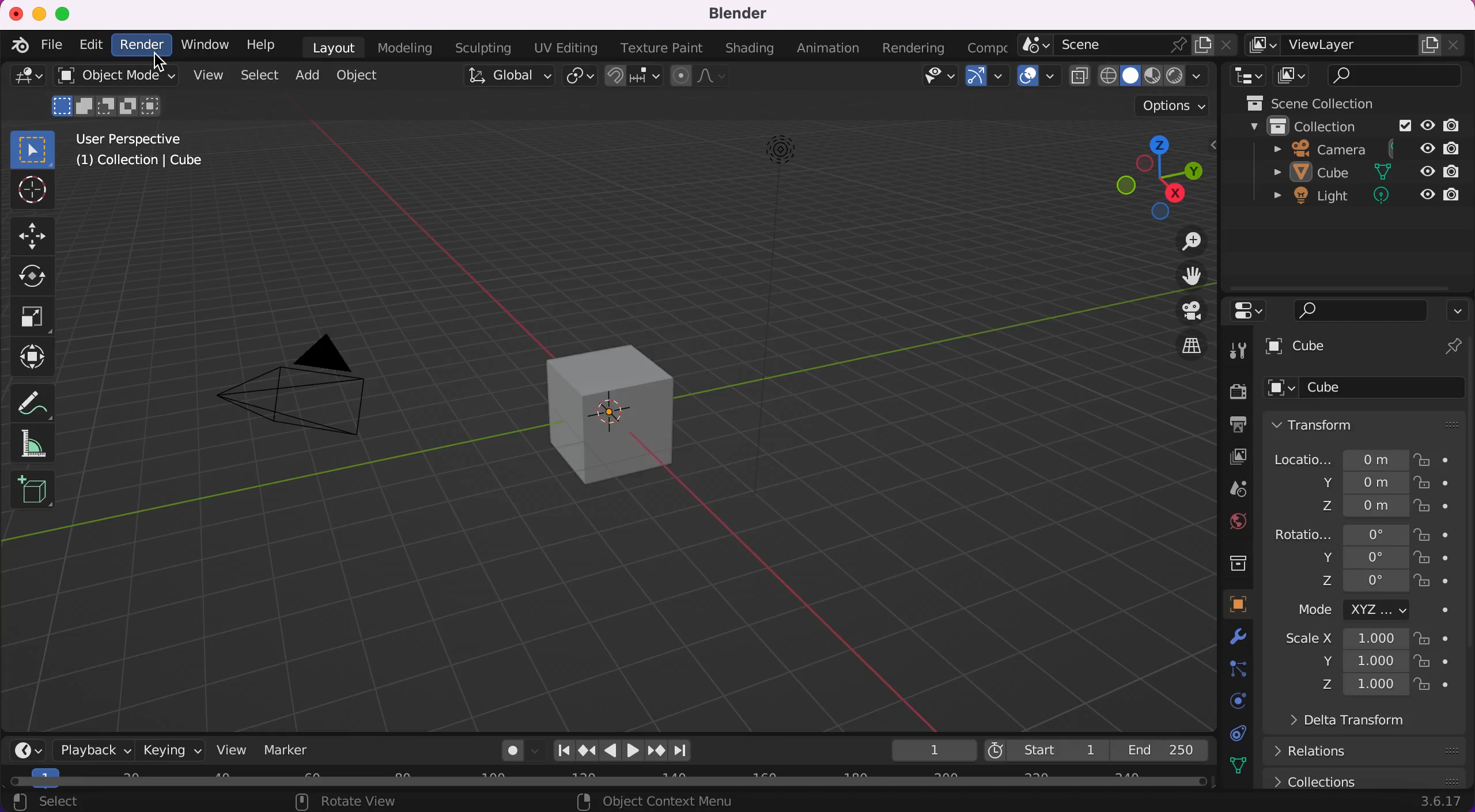 This screenshot has height=812, width=1475. What do you see at coordinates (580, 78) in the screenshot?
I see `tranform pivot point` at bounding box center [580, 78].